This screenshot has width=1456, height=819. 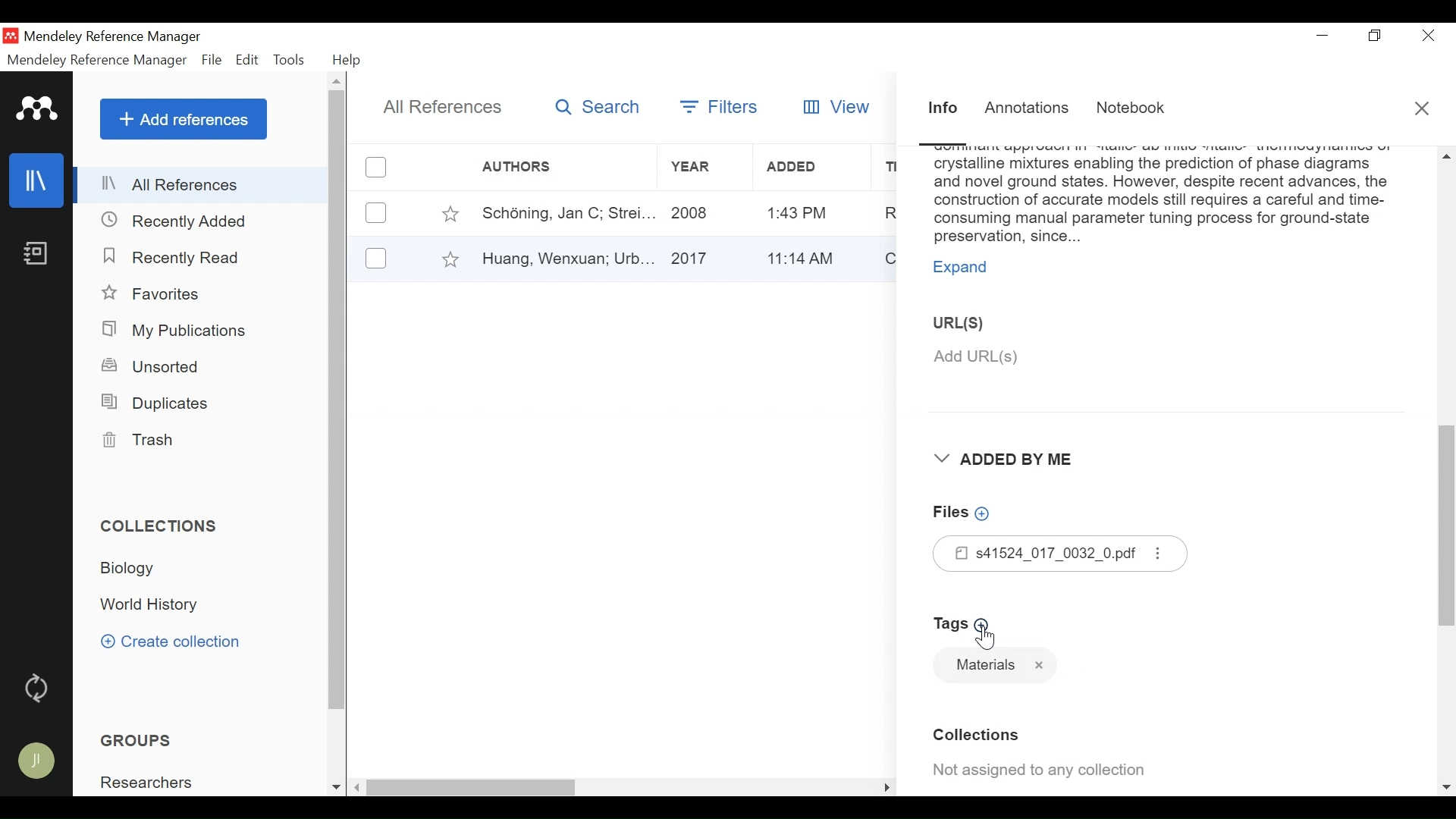 I want to click on Edit, so click(x=247, y=60).